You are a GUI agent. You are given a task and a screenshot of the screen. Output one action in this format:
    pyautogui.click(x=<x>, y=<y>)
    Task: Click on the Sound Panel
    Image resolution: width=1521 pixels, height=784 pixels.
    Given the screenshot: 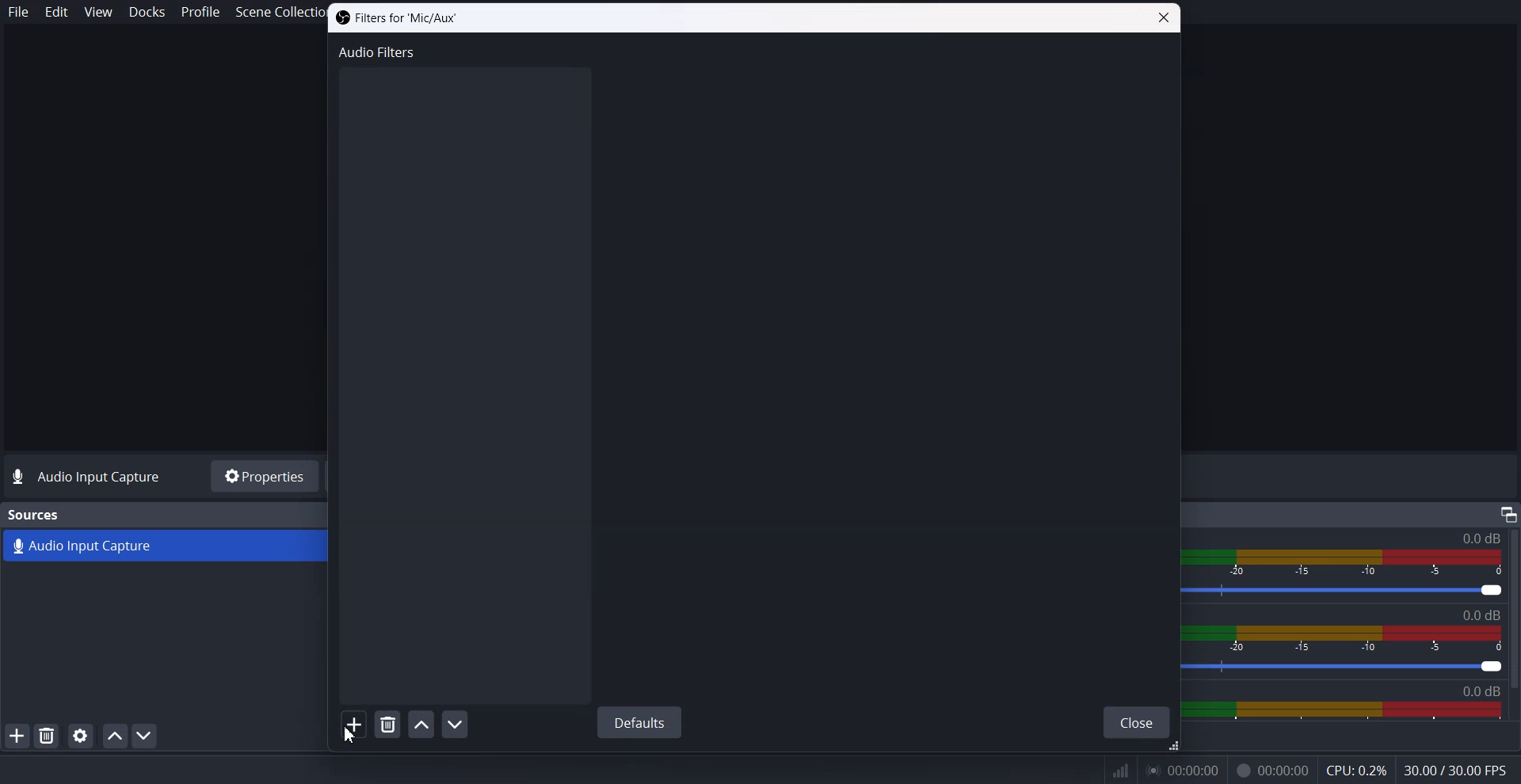 What is the action you would take?
    pyautogui.click(x=1344, y=711)
    